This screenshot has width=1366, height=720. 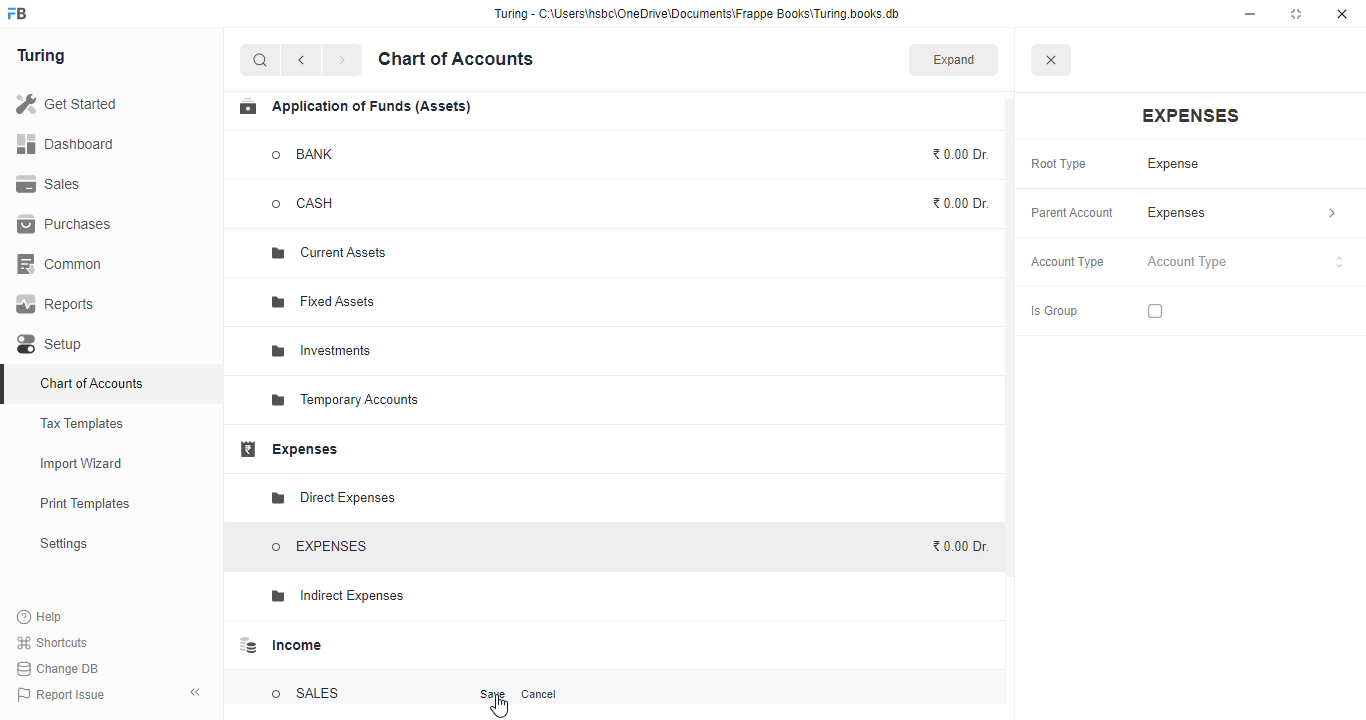 I want to click on “Turing - C:\Users\hsbc\OneDrive\Documents\Frappe Books\Turing books.db, so click(x=696, y=13).